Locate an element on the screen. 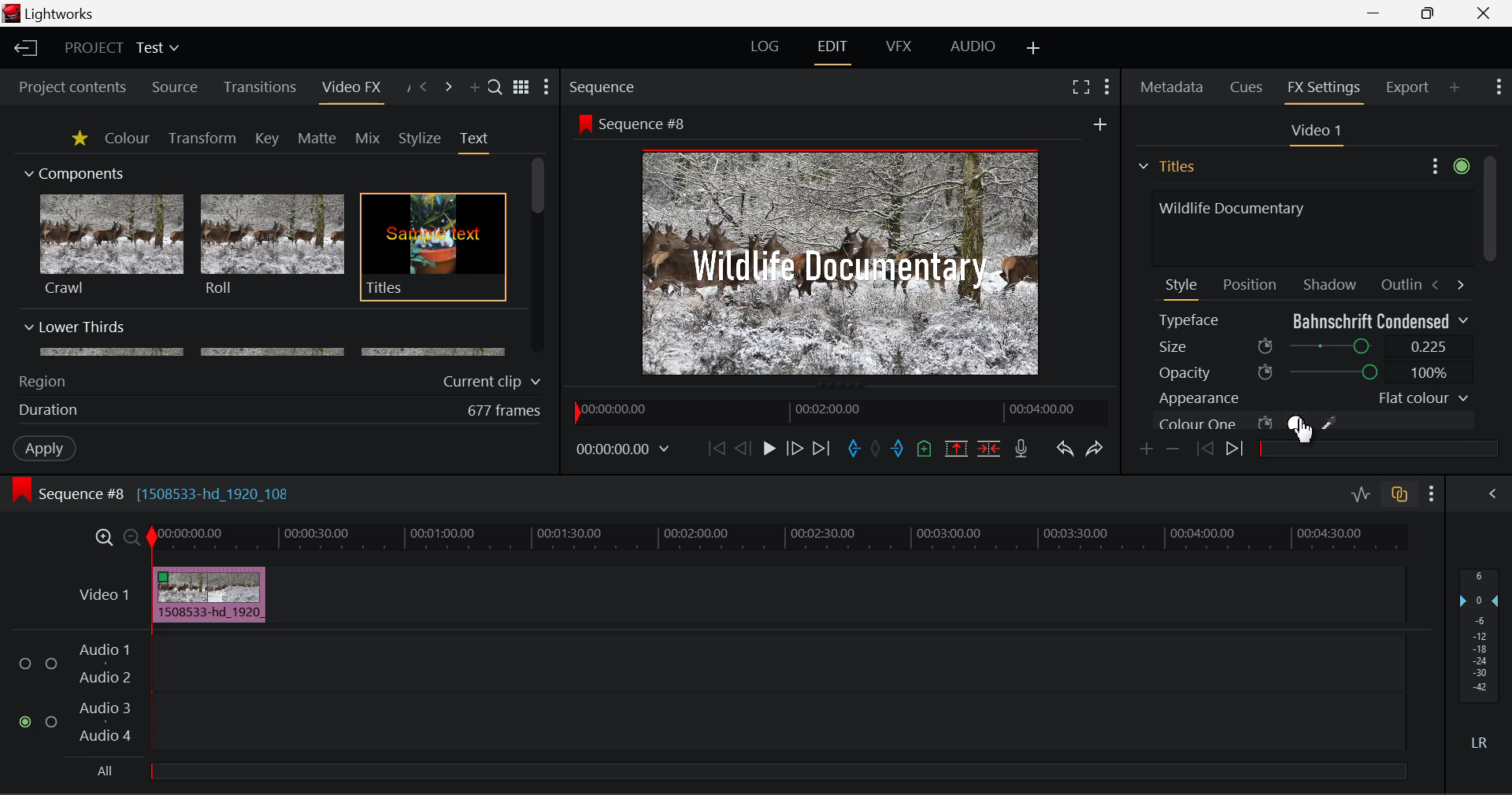 The image size is (1512, 795). Project contents is located at coordinates (65, 87).